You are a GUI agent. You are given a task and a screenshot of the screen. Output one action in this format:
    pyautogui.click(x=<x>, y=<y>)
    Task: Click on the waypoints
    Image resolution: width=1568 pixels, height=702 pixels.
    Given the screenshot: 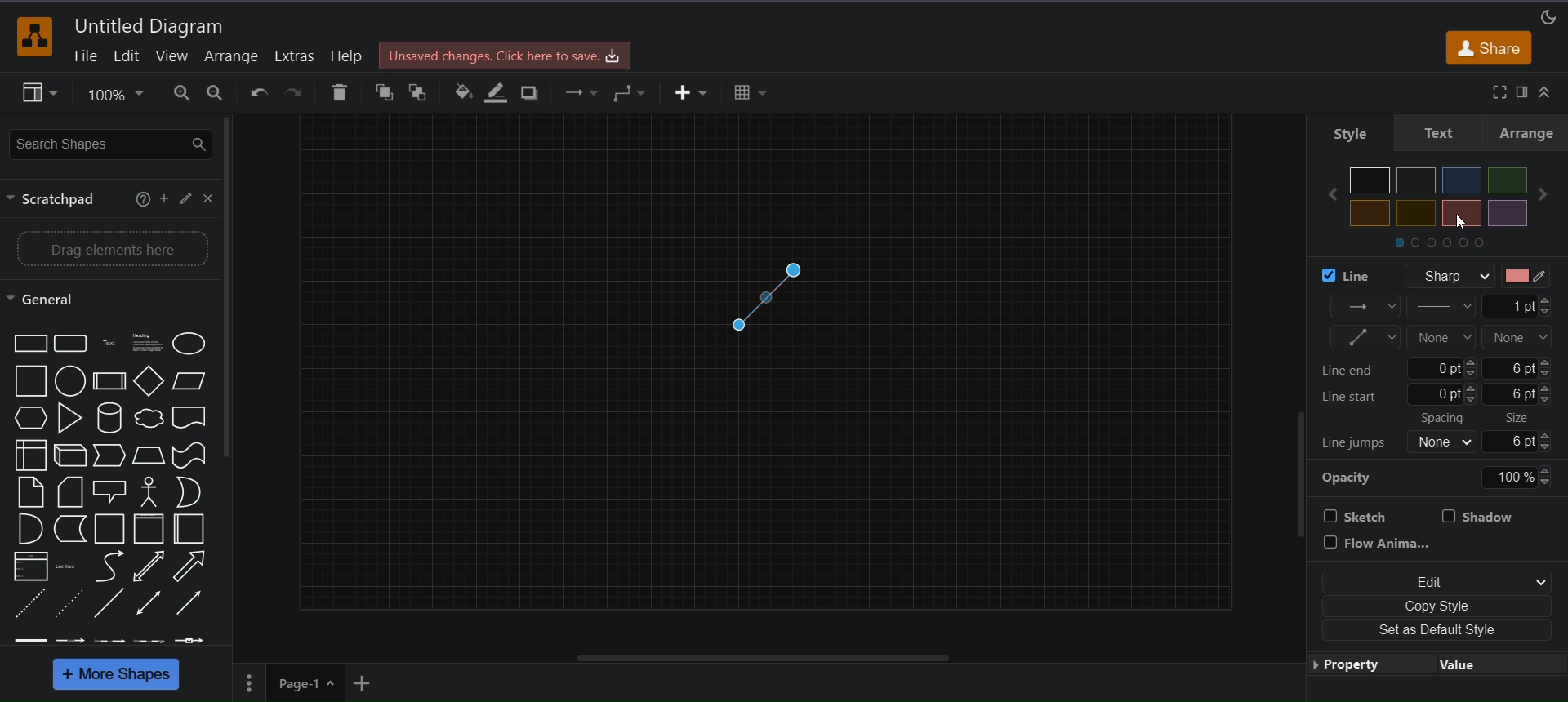 What is the action you would take?
    pyautogui.click(x=633, y=91)
    